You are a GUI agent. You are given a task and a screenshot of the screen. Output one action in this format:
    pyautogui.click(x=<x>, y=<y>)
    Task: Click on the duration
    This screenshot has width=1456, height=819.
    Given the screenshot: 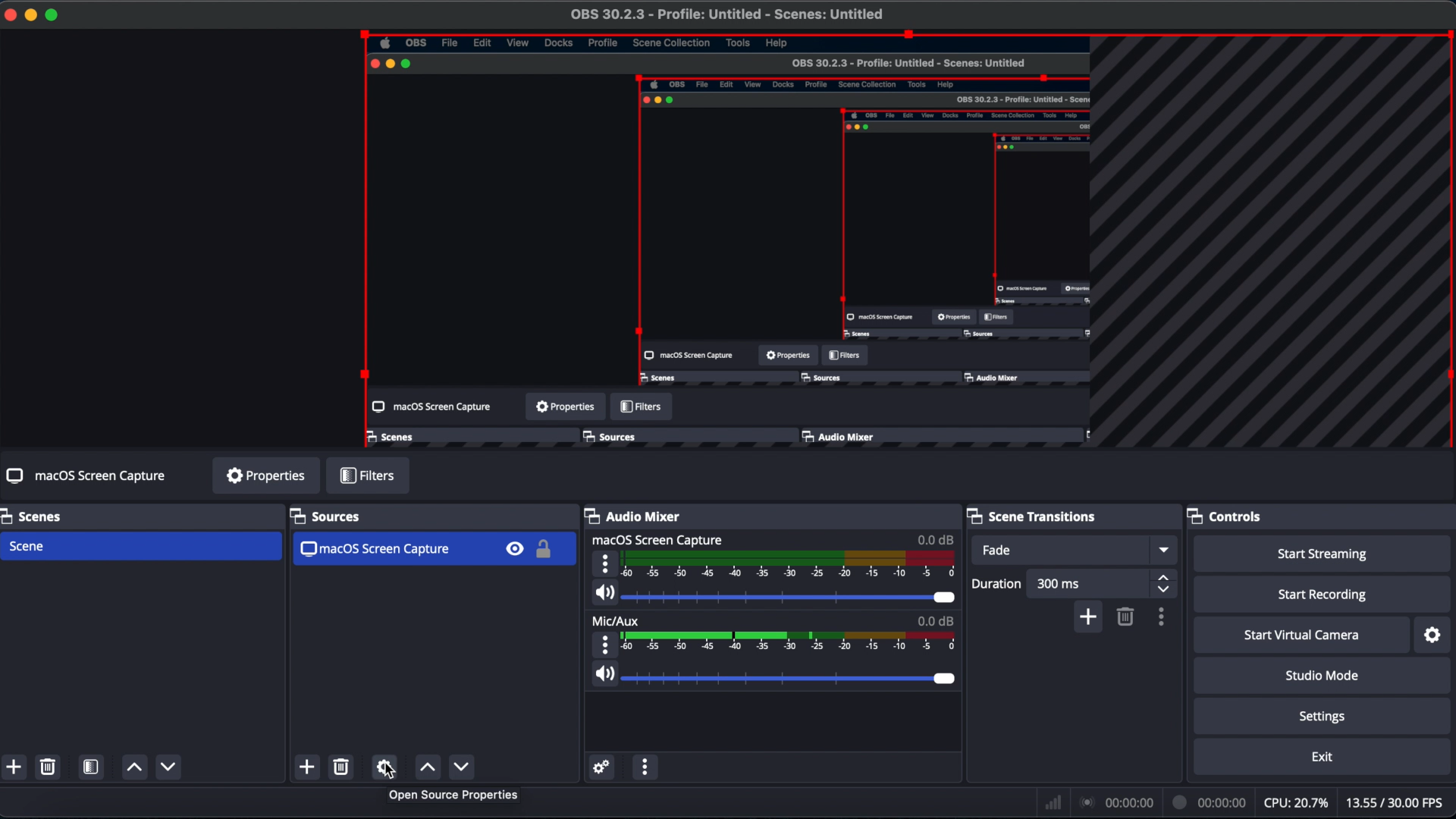 What is the action you would take?
    pyautogui.click(x=994, y=584)
    